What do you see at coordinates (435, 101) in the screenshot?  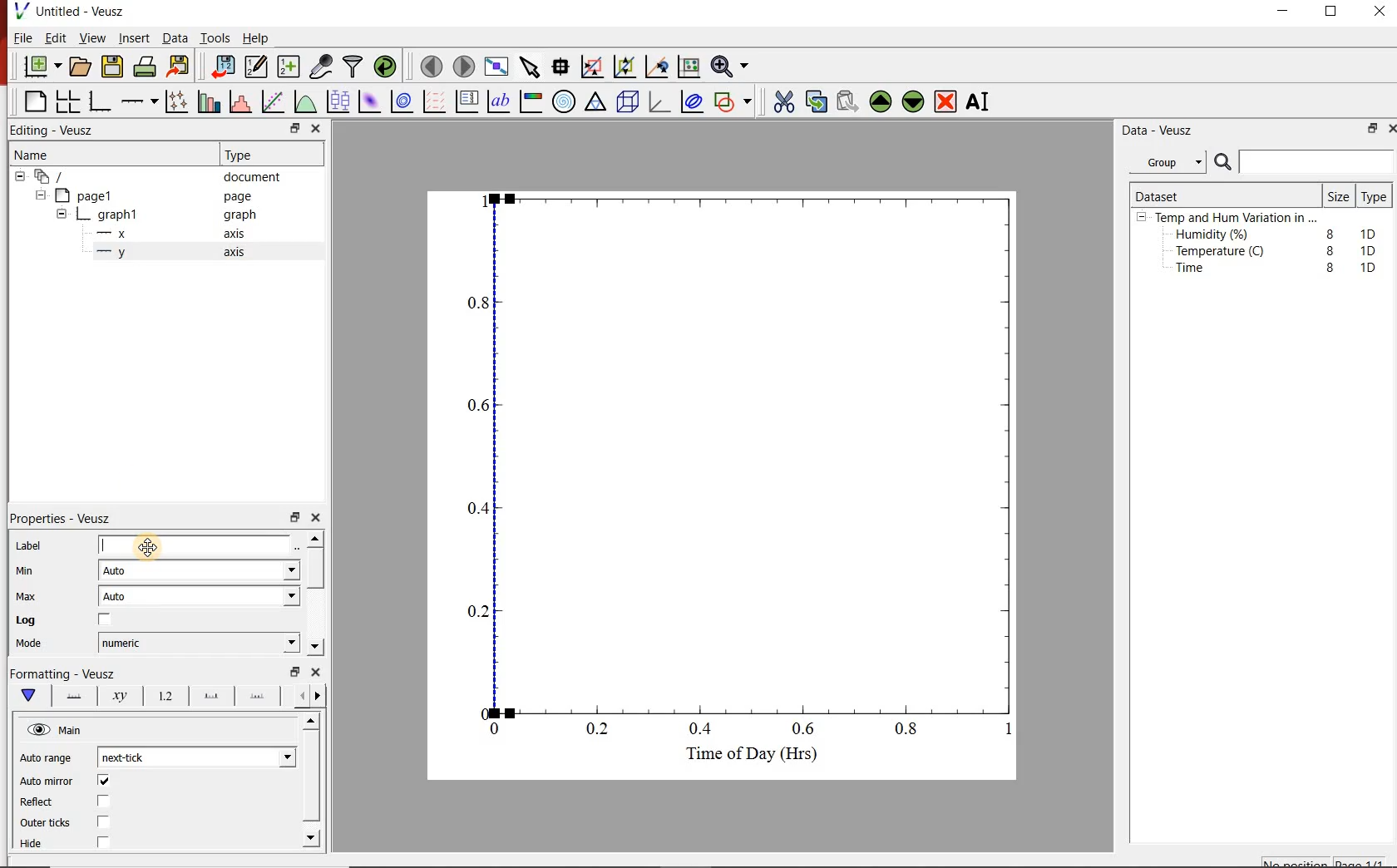 I see `plot a vector field` at bounding box center [435, 101].